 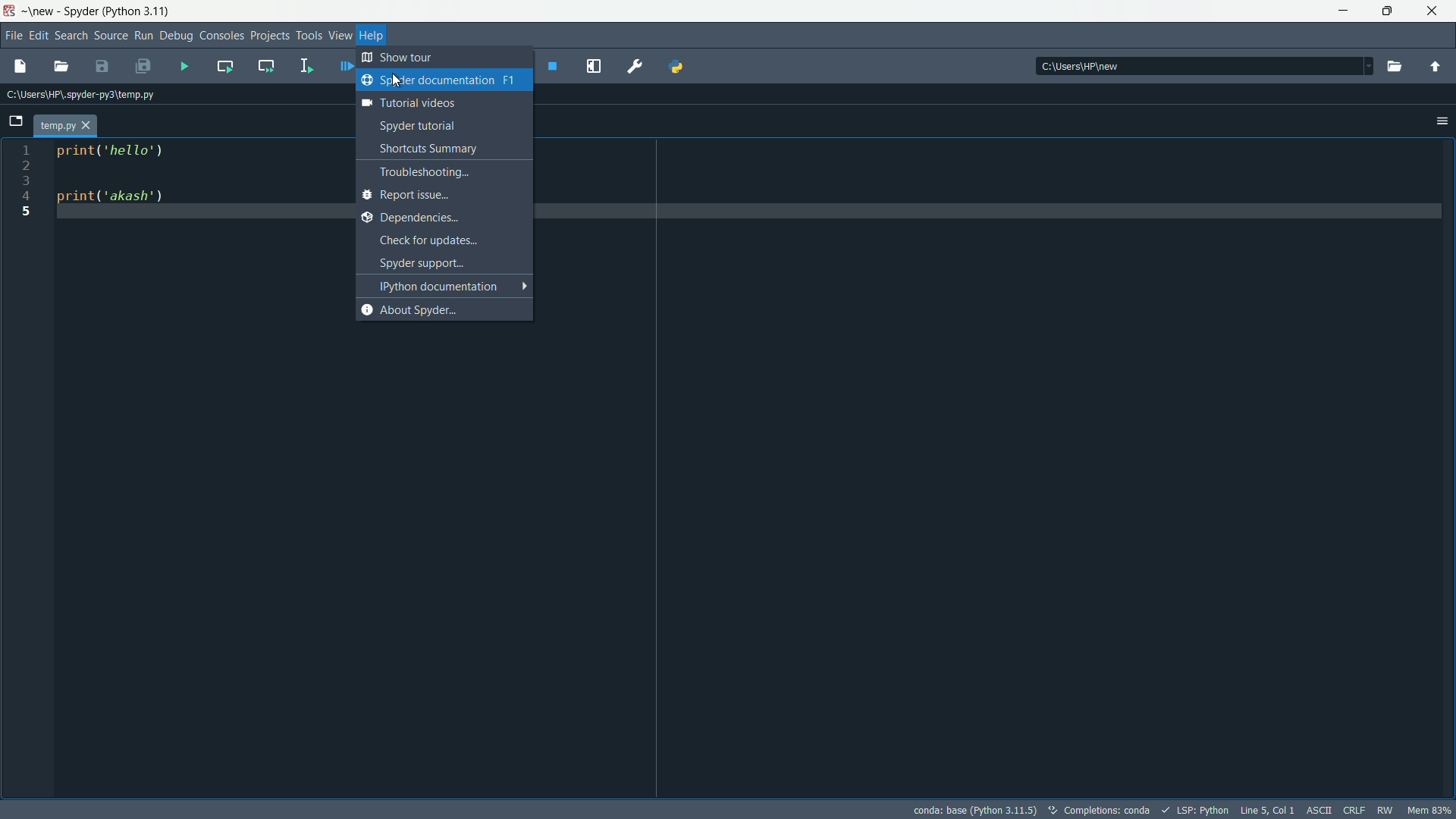 I want to click on temp.py, so click(x=58, y=127).